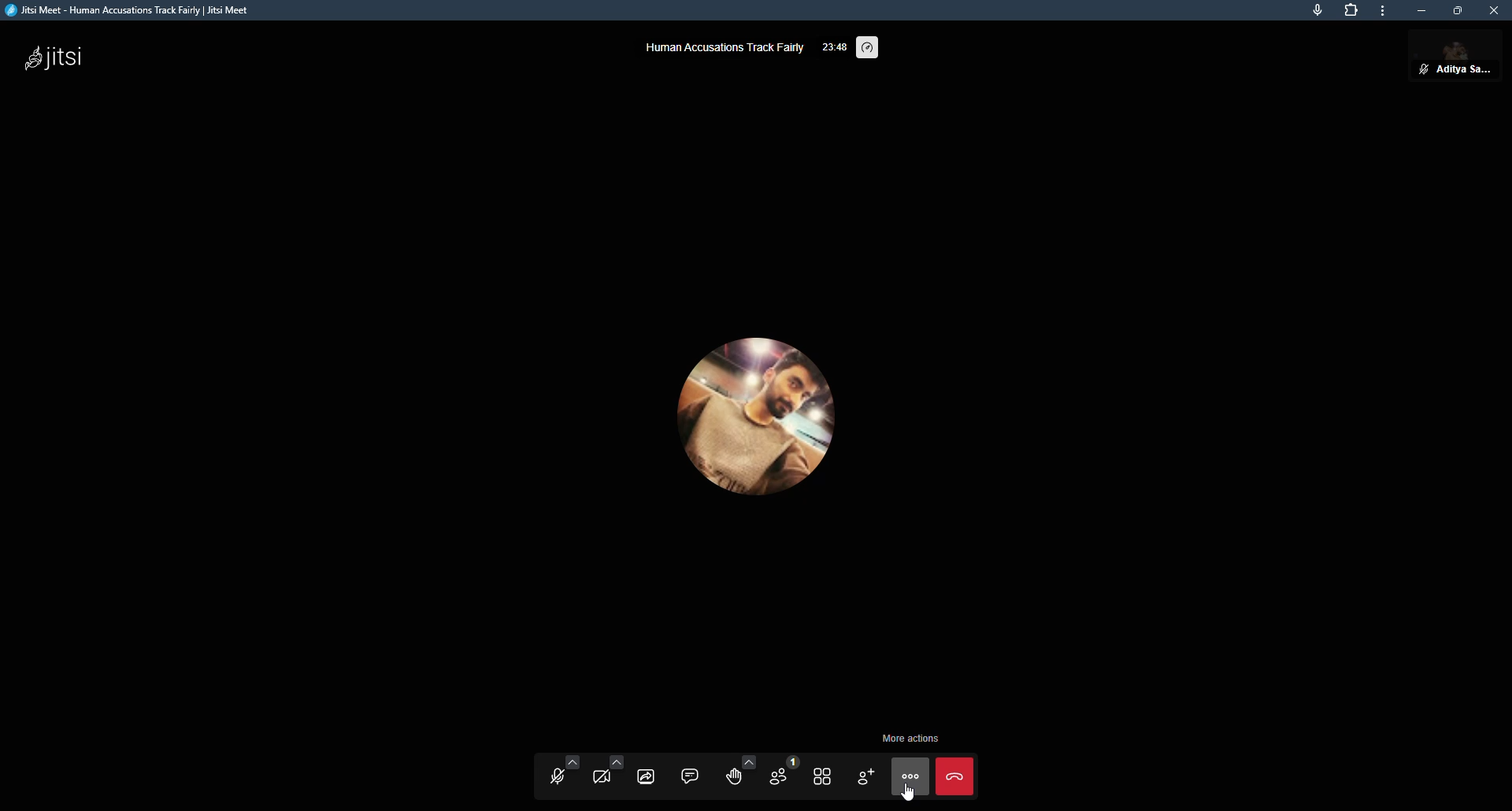 The width and height of the screenshot is (1512, 811). What do you see at coordinates (605, 773) in the screenshot?
I see `start video` at bounding box center [605, 773].